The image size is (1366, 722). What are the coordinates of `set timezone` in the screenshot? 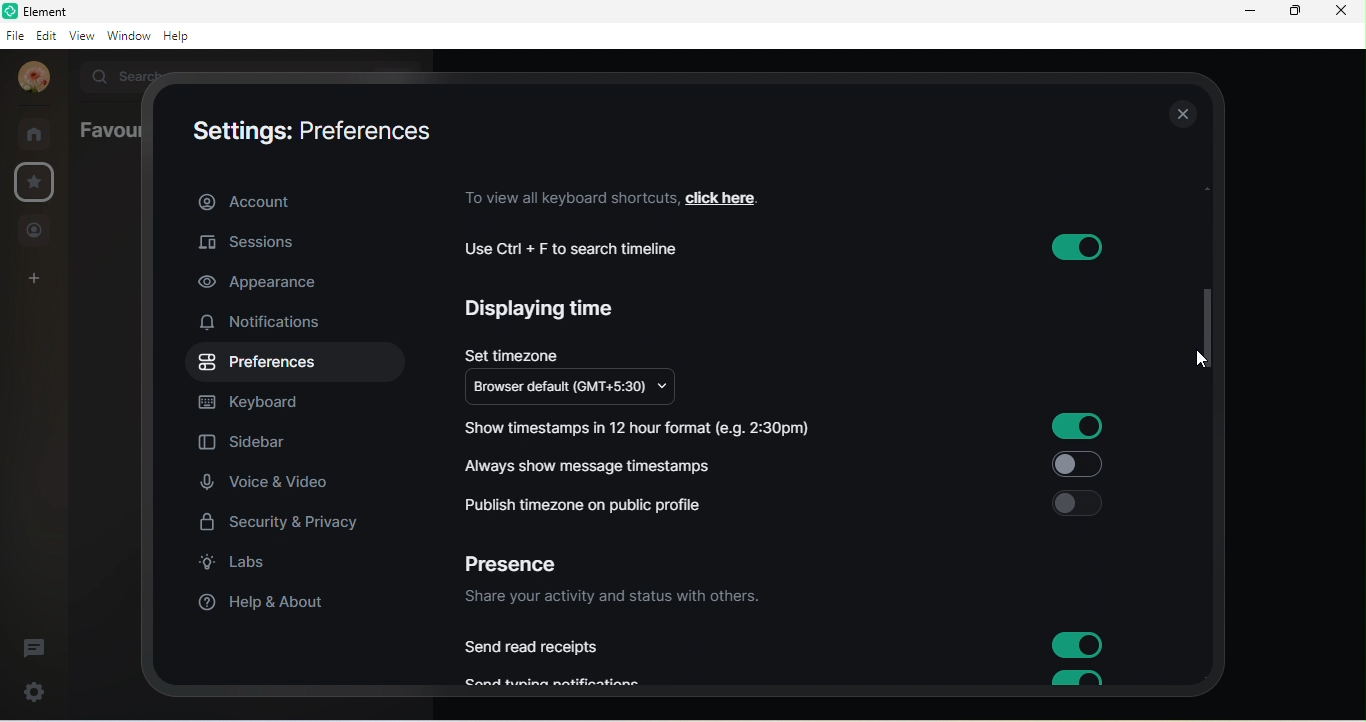 It's located at (513, 351).